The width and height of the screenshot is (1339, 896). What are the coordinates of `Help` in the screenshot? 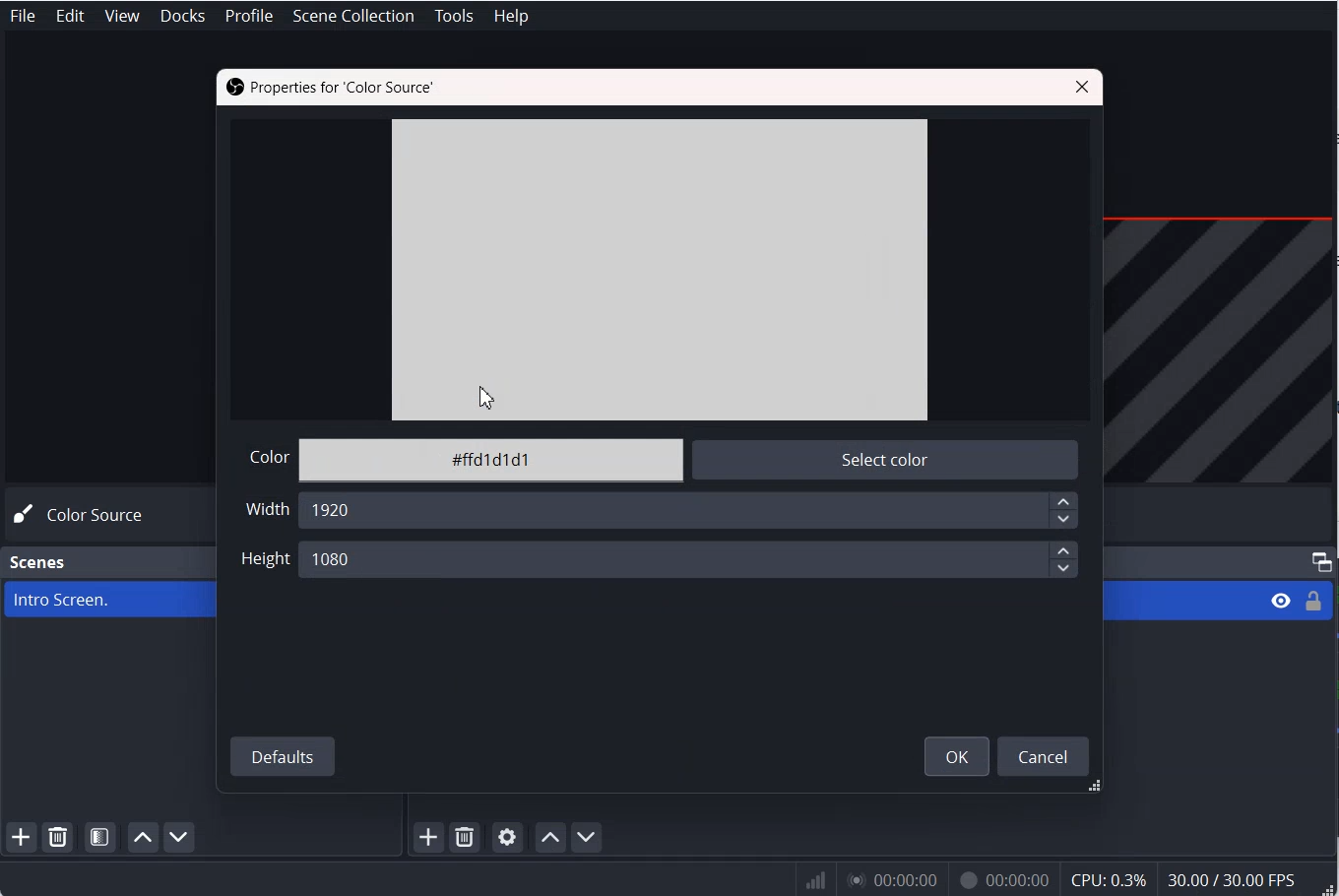 It's located at (510, 15).